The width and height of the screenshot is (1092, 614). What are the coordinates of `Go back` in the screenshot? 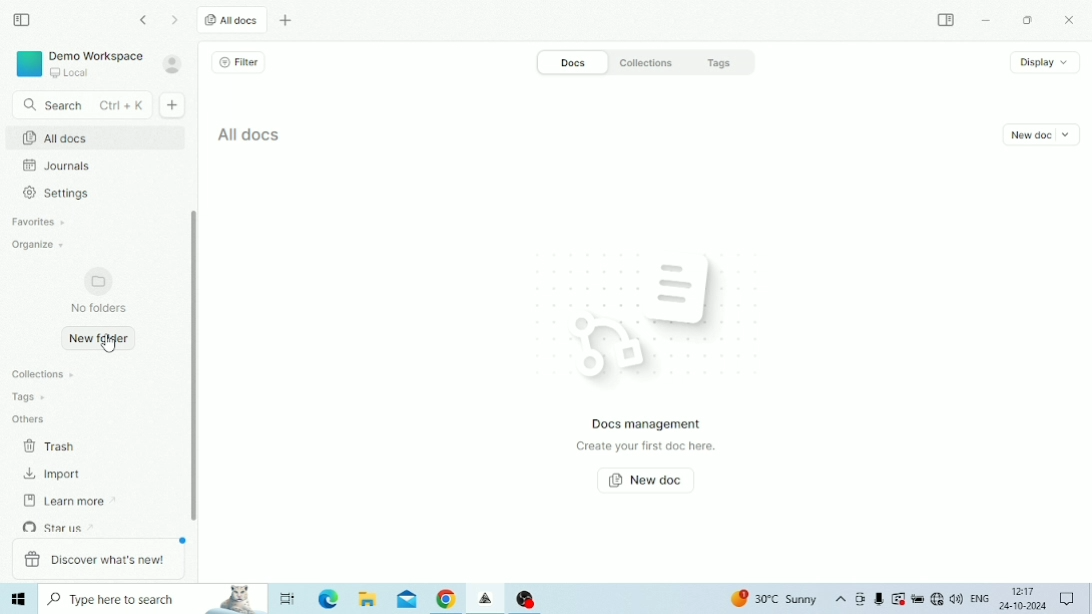 It's located at (146, 20).